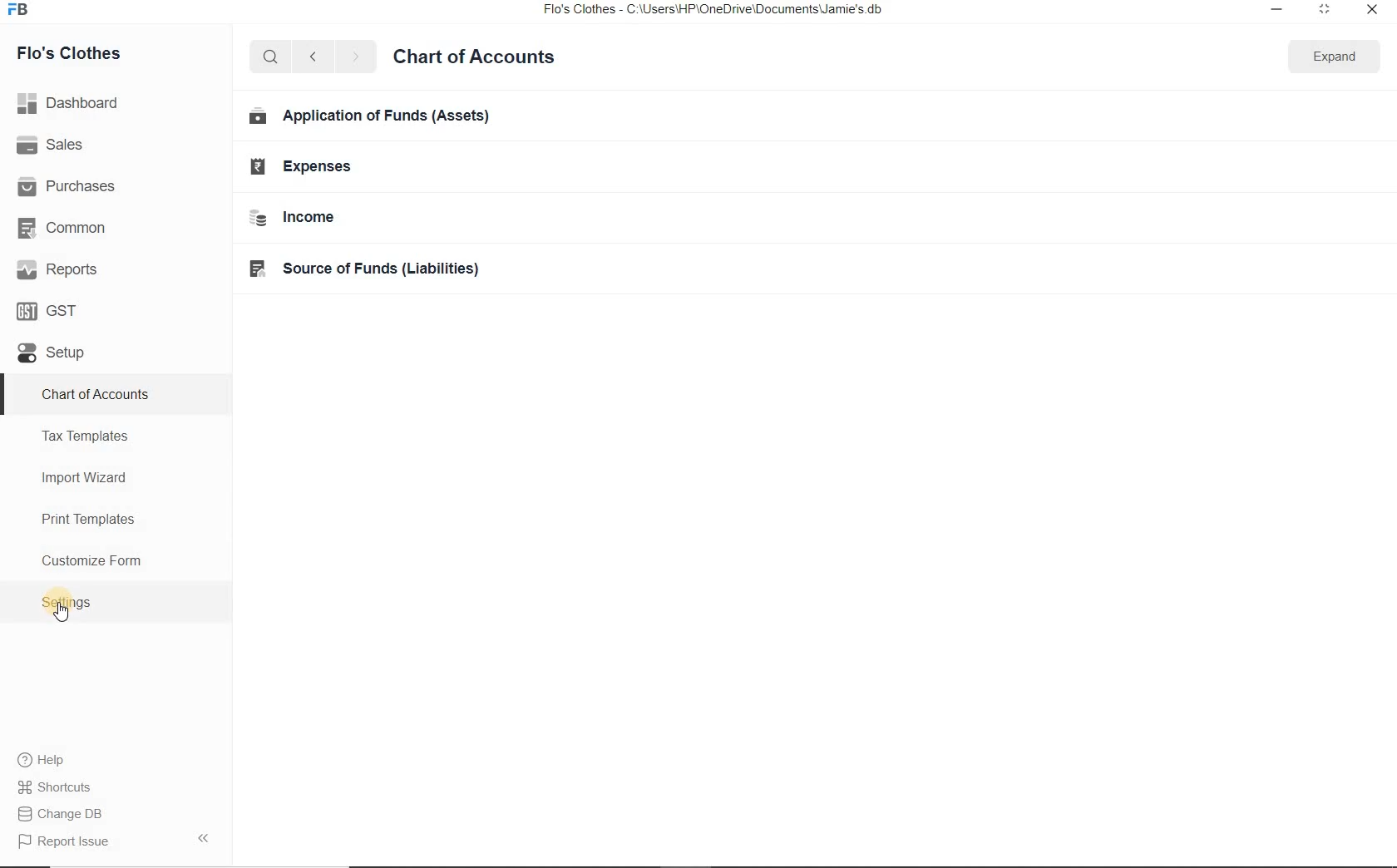  What do you see at coordinates (55, 351) in the screenshot?
I see `Setup` at bounding box center [55, 351].